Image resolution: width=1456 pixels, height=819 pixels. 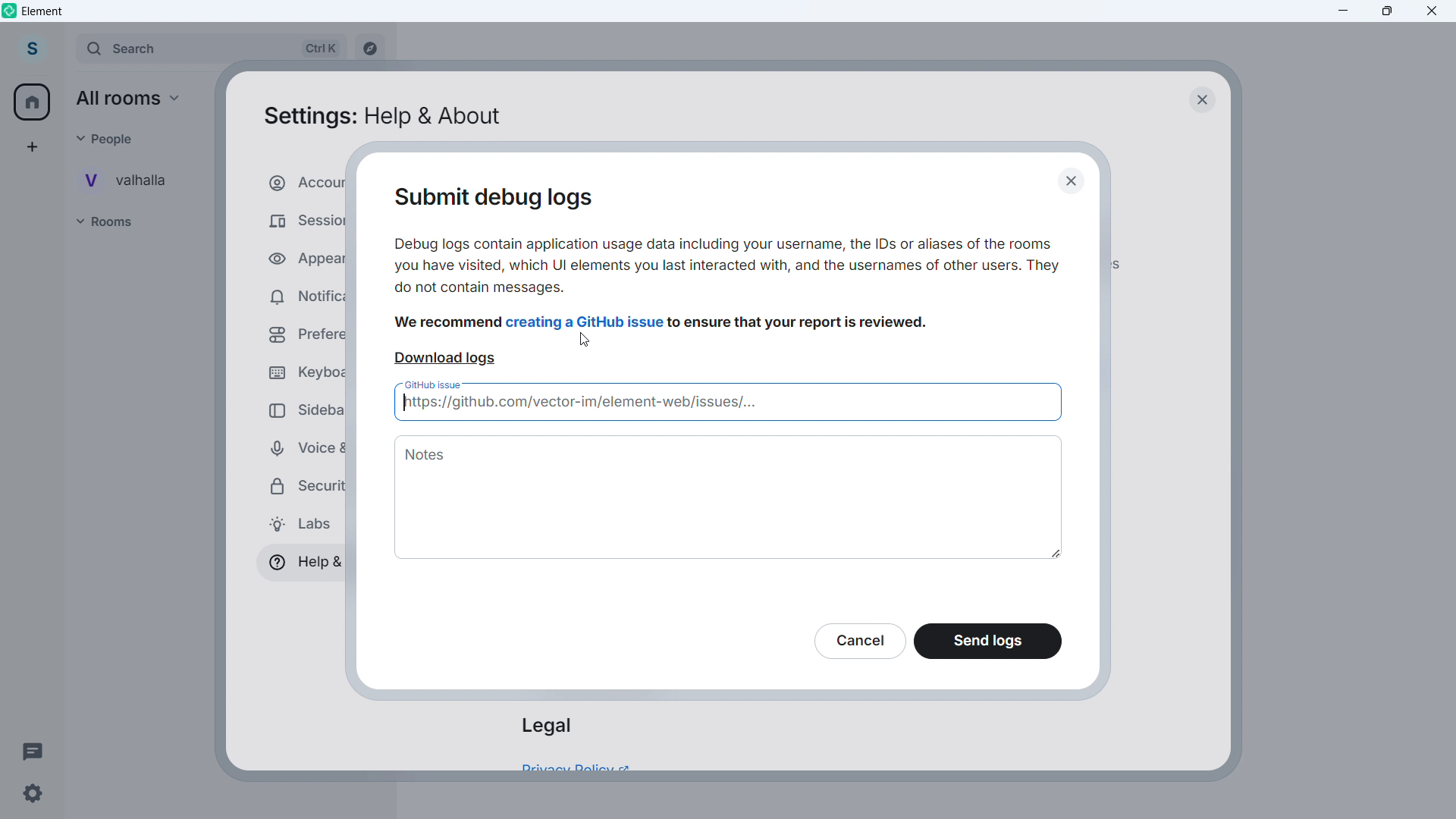 I want to click on Create a GITHub issue, so click(x=586, y=322).